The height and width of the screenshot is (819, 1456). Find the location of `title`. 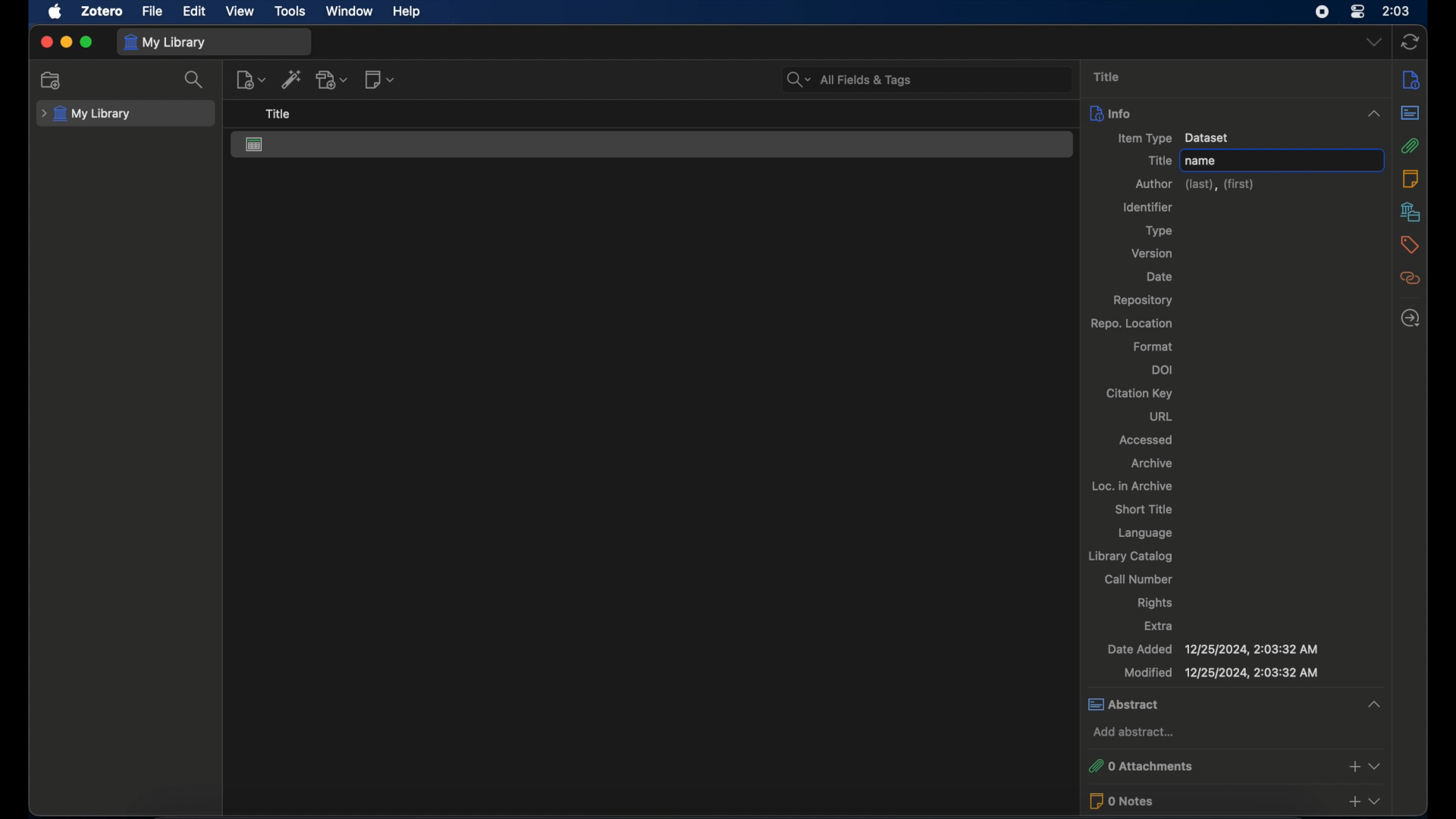

title is located at coordinates (1159, 161).